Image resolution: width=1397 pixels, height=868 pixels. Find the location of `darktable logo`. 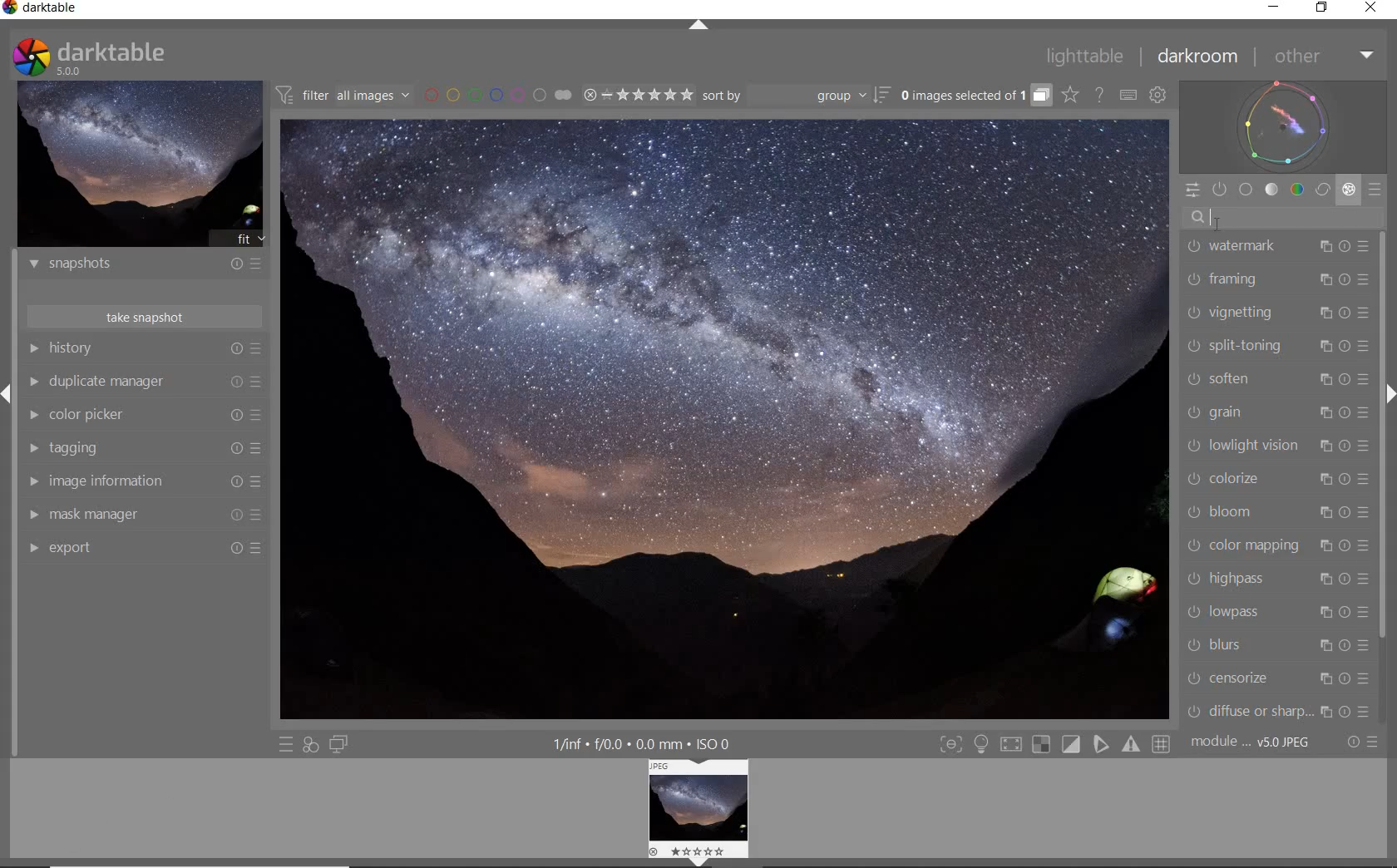

darktable logo is located at coordinates (27, 56).